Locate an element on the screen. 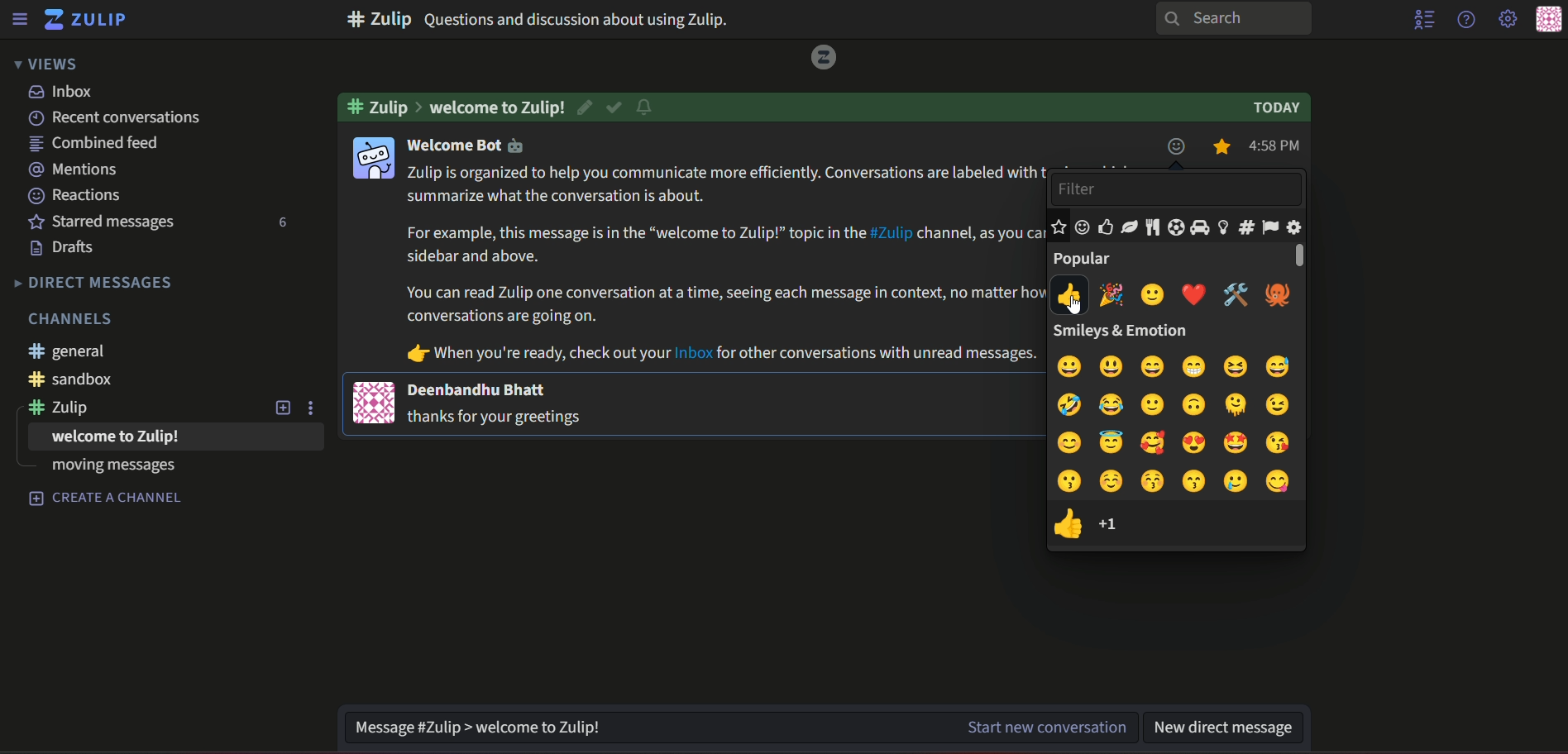  emoji is located at coordinates (1177, 365).